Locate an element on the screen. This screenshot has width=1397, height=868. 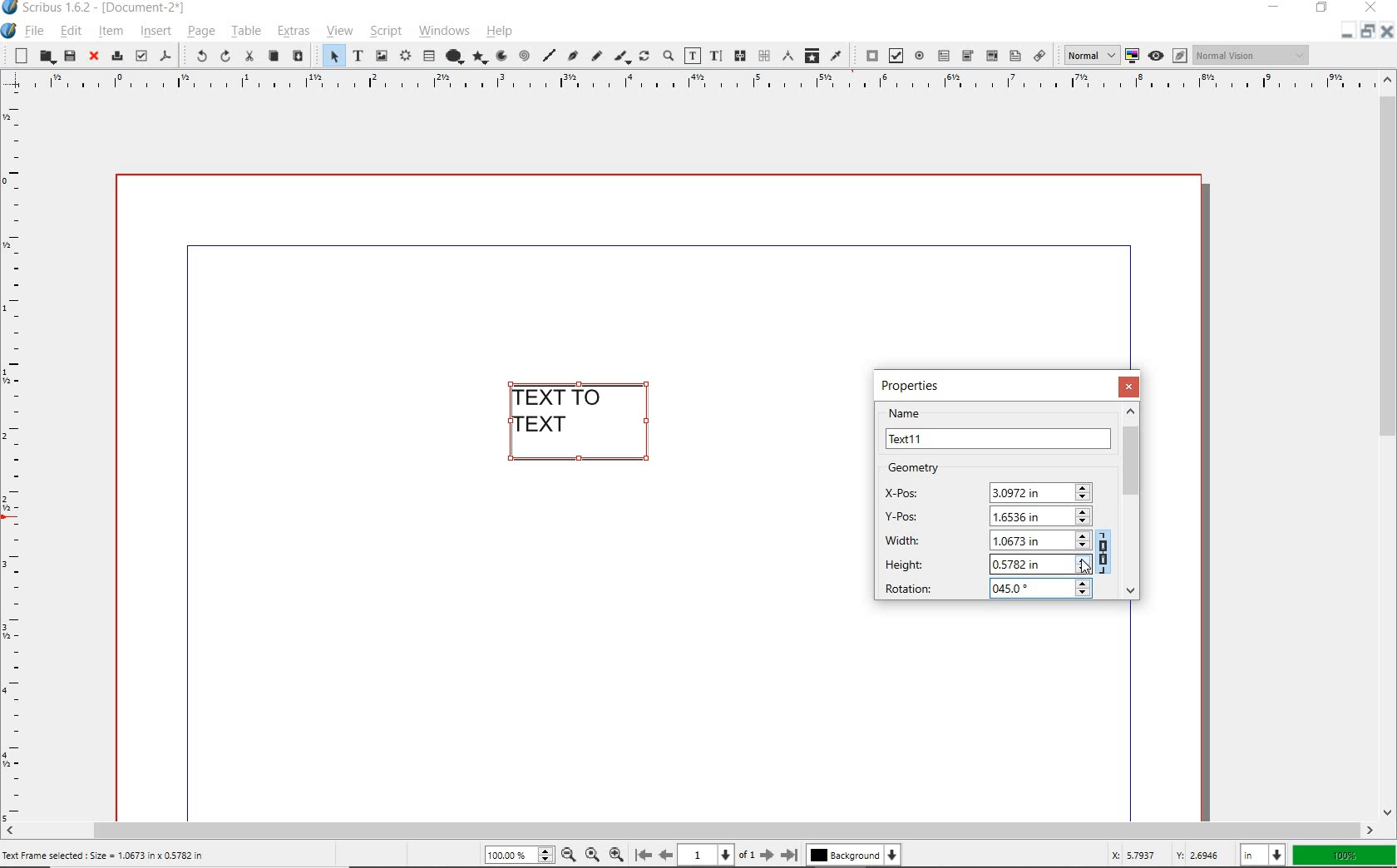
current page is located at coordinates (720, 855).